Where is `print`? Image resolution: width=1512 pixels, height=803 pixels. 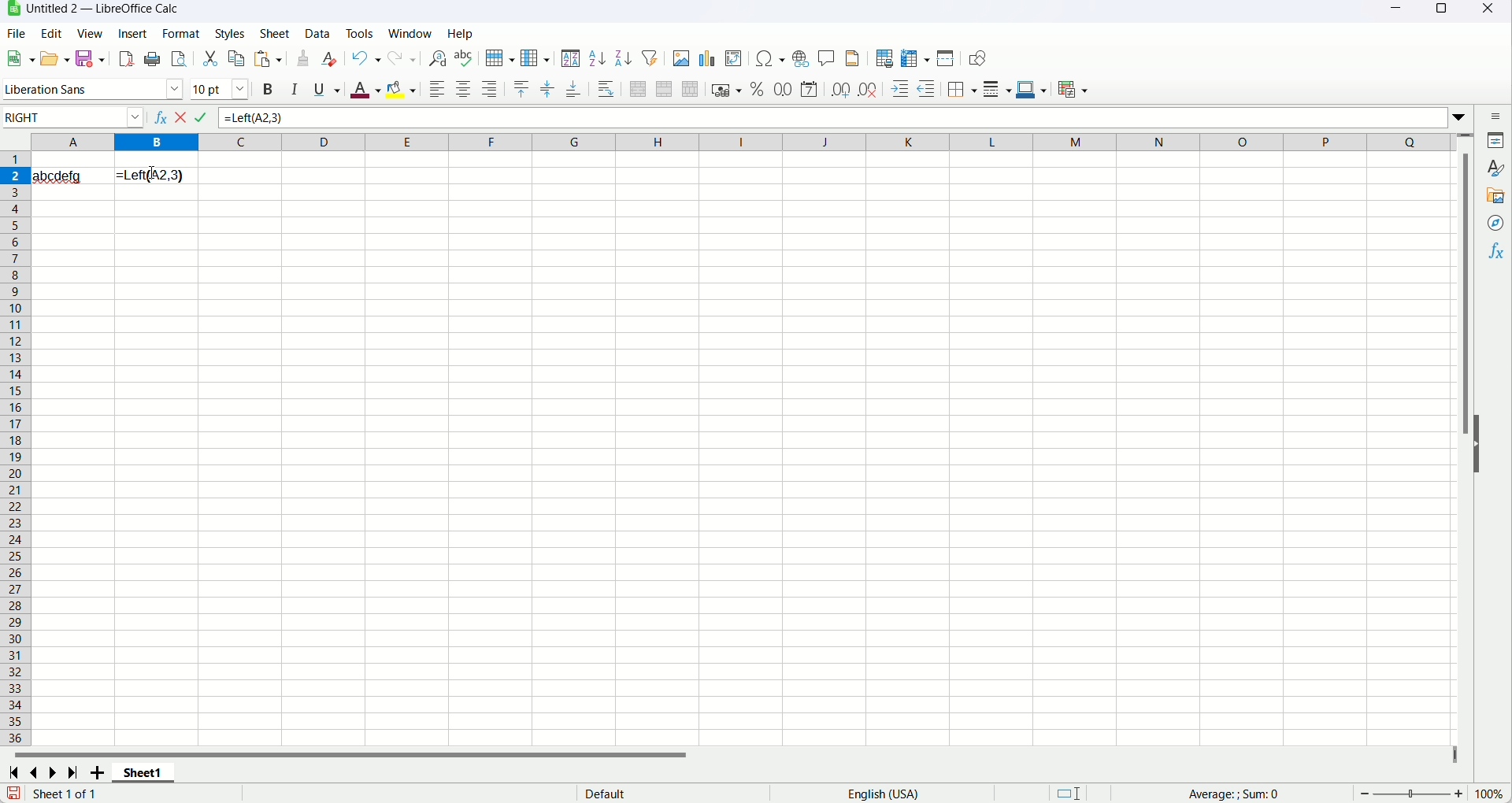 print is located at coordinates (151, 59).